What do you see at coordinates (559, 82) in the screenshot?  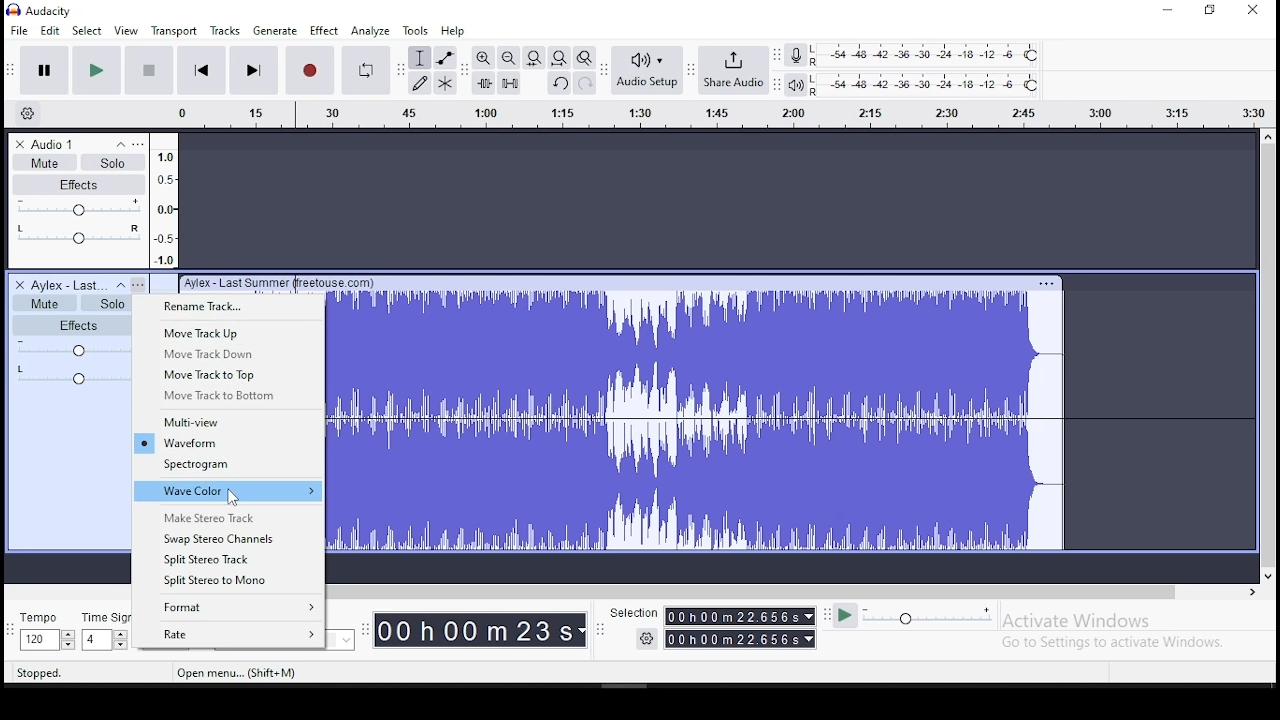 I see `undo` at bounding box center [559, 82].